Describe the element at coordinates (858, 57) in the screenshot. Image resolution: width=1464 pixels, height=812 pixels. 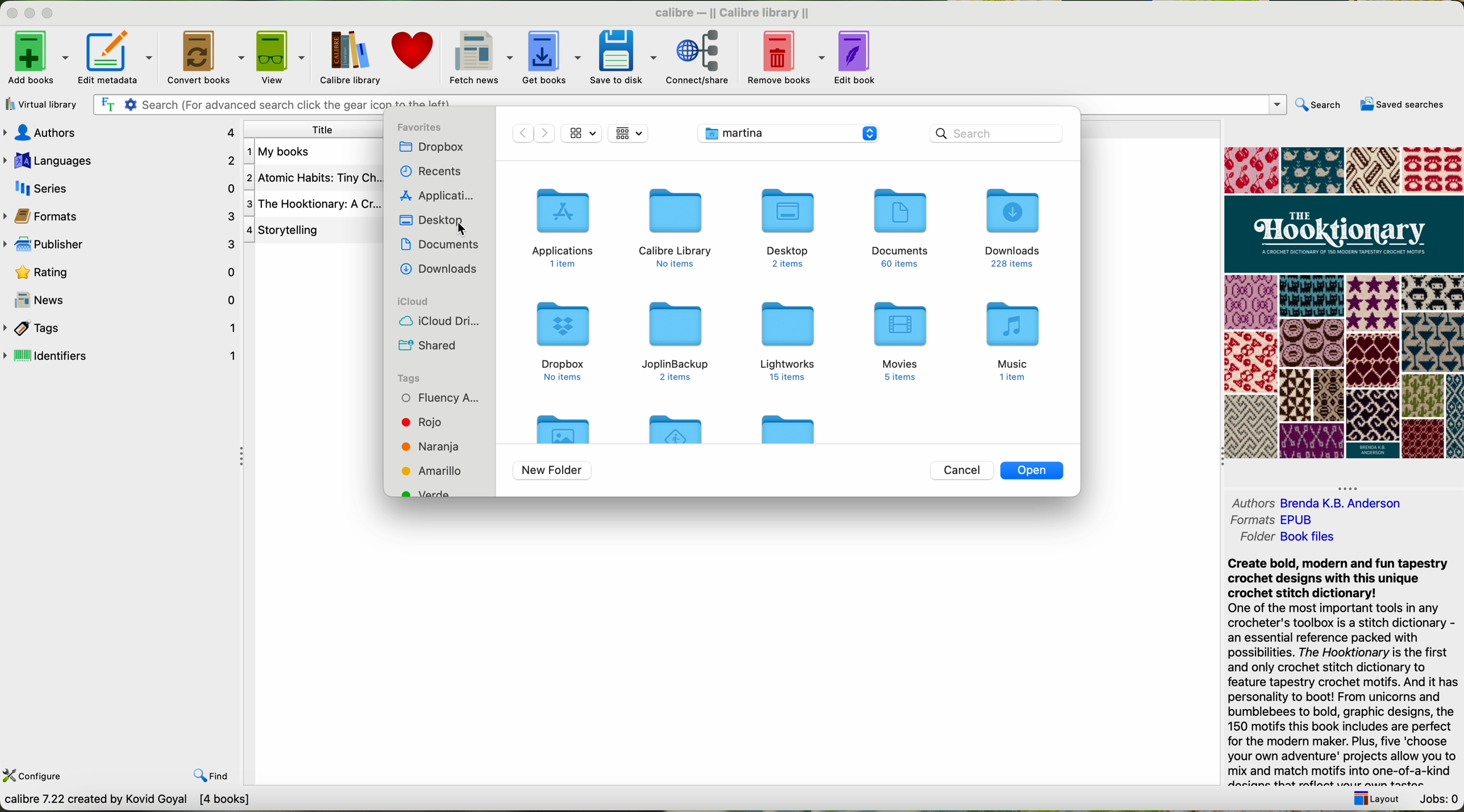
I see `edit book` at that location.